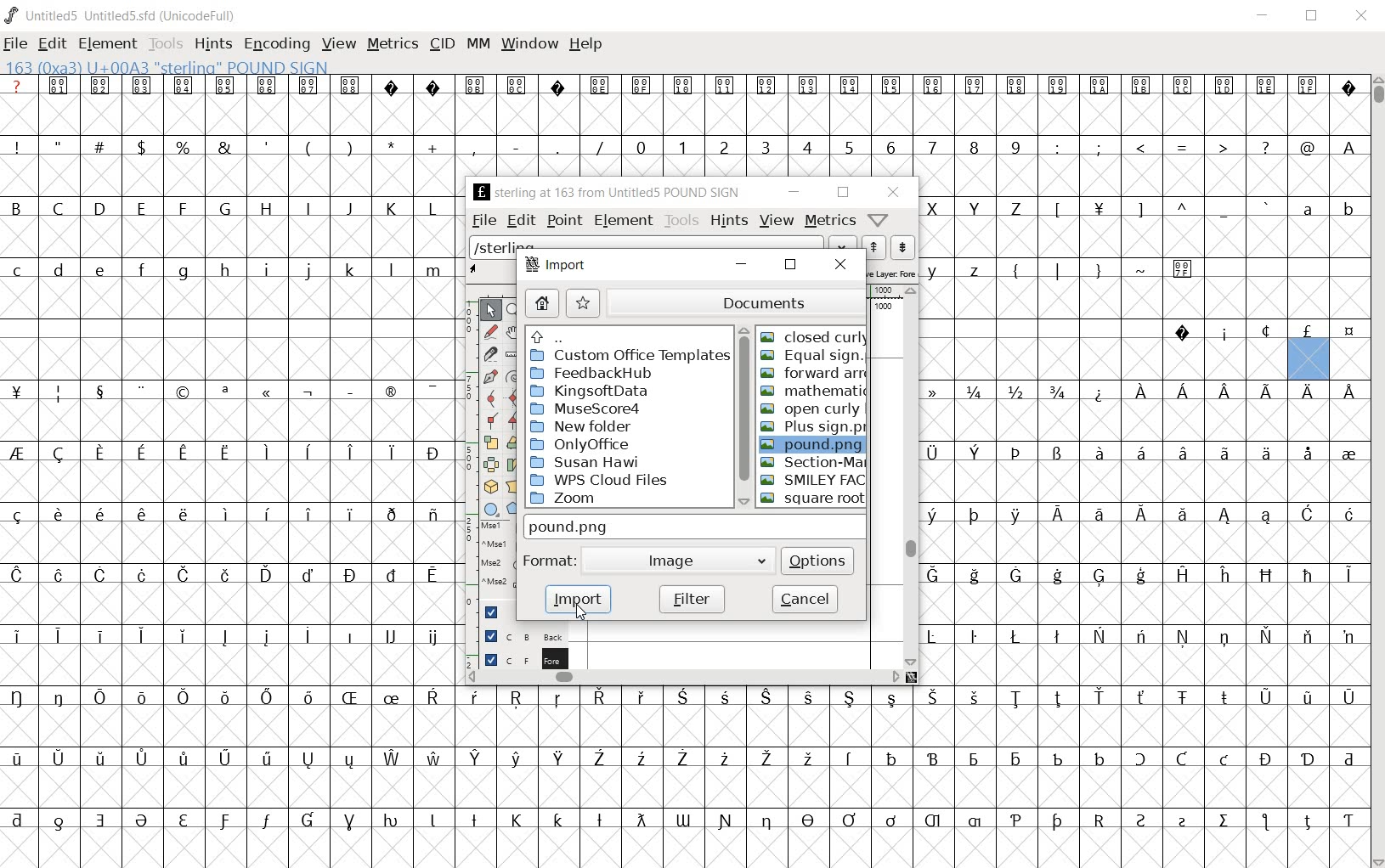 The width and height of the screenshot is (1385, 868). What do you see at coordinates (1097, 268) in the screenshot?
I see `}` at bounding box center [1097, 268].